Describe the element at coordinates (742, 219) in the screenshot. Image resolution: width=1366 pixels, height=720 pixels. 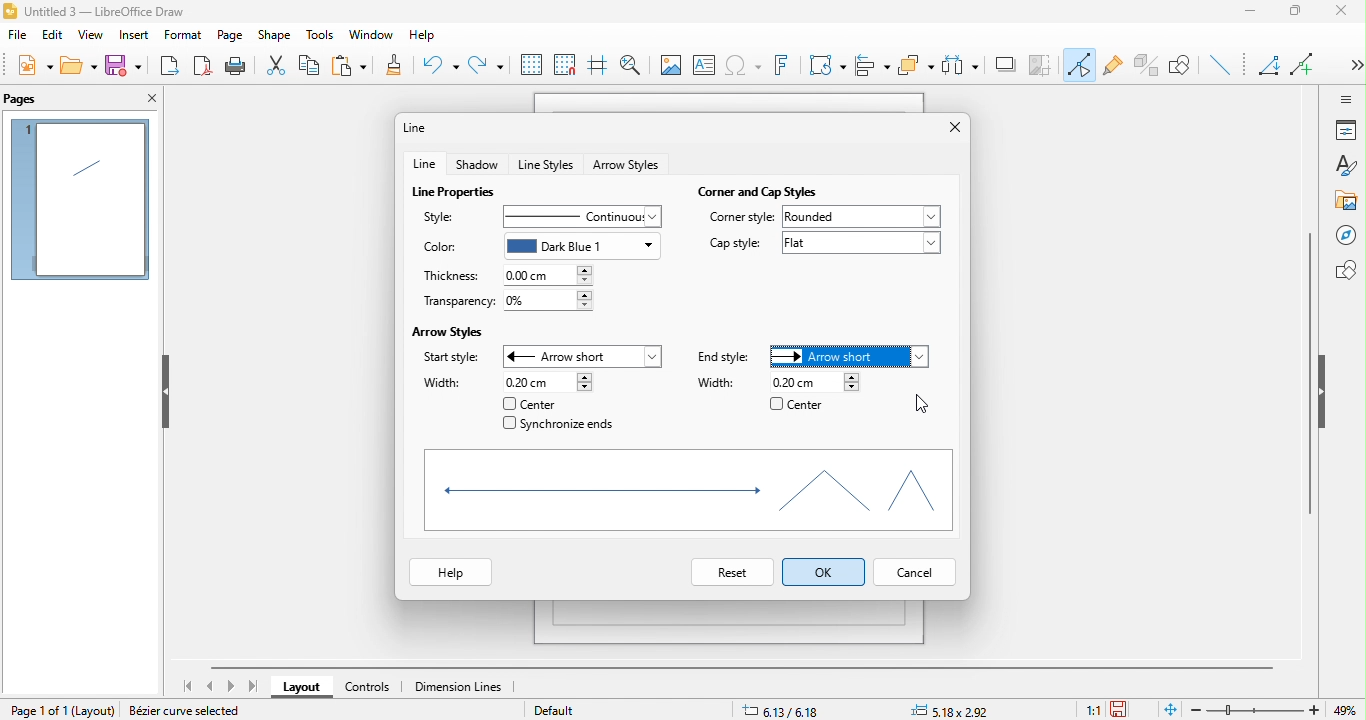
I see `corner style` at that location.